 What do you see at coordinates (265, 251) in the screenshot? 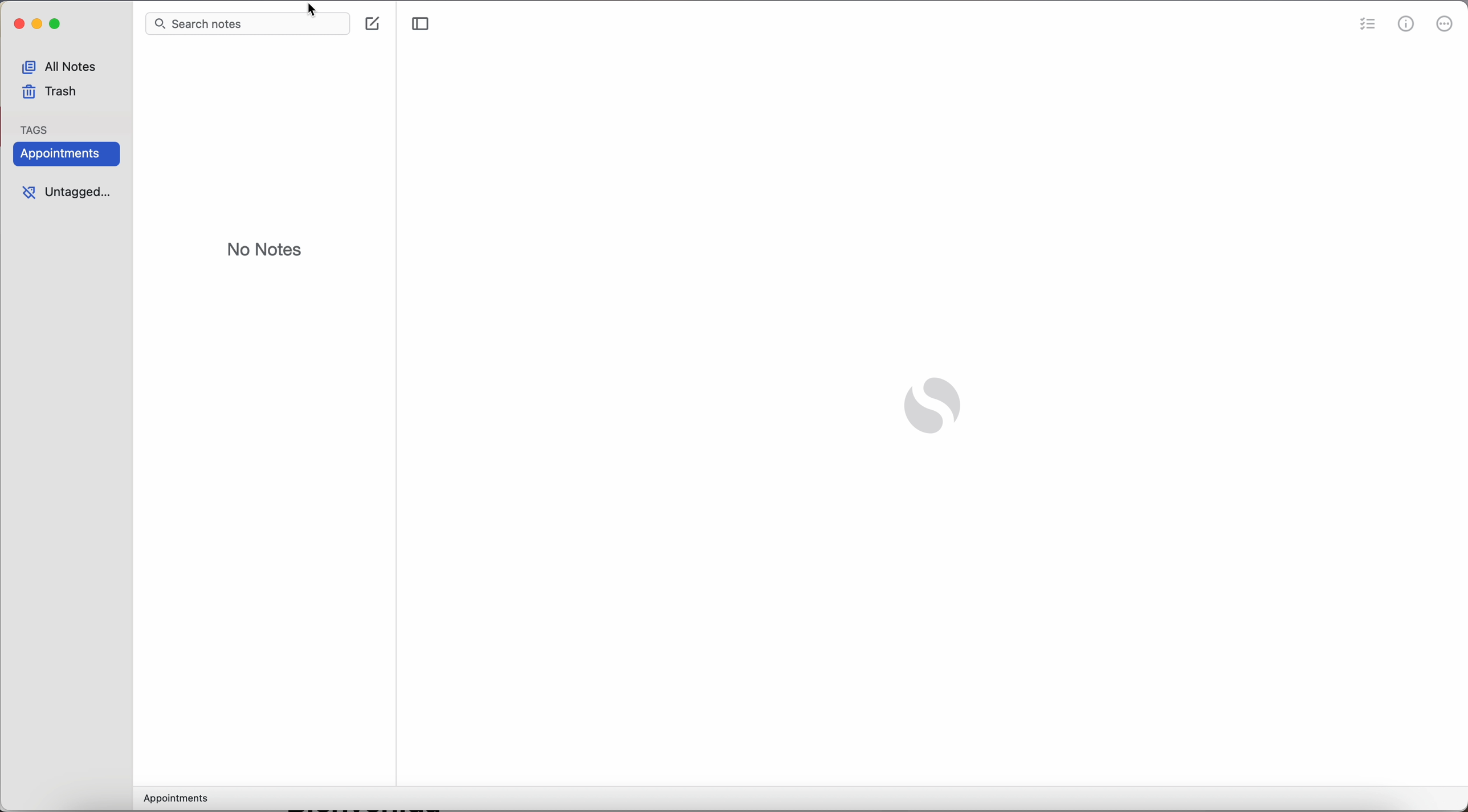
I see `no notes` at bounding box center [265, 251].